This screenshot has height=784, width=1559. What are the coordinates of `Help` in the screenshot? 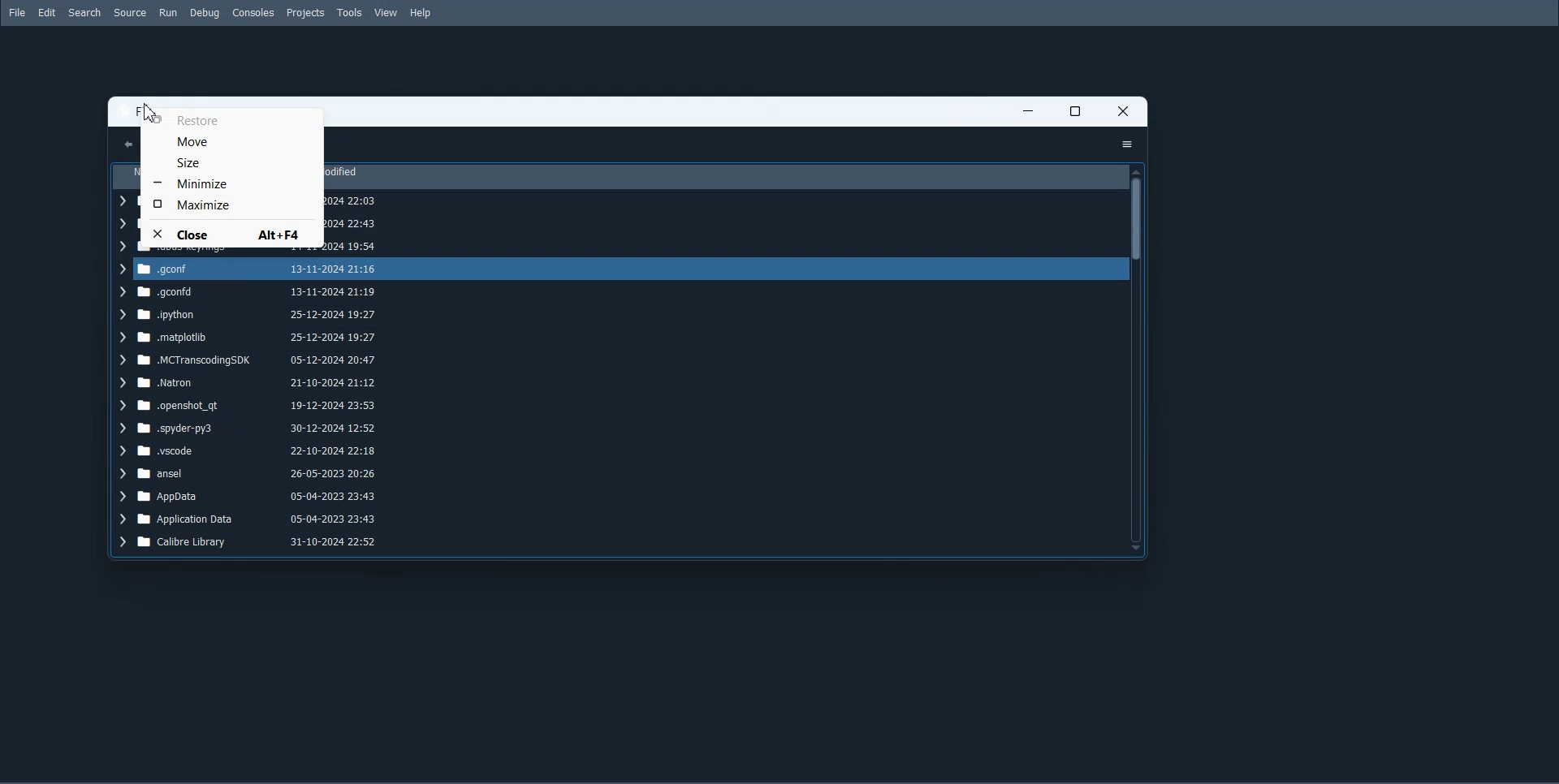 It's located at (421, 12).